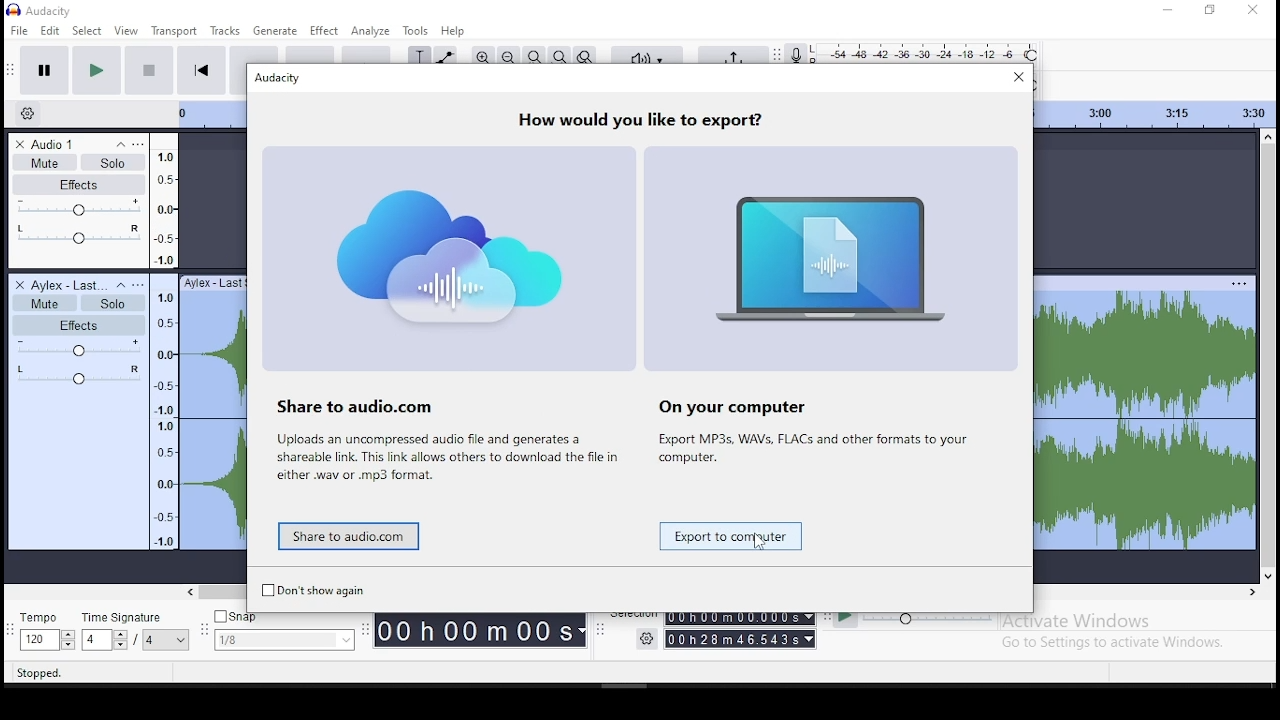  Describe the element at coordinates (28, 113) in the screenshot. I see `timeline options` at that location.